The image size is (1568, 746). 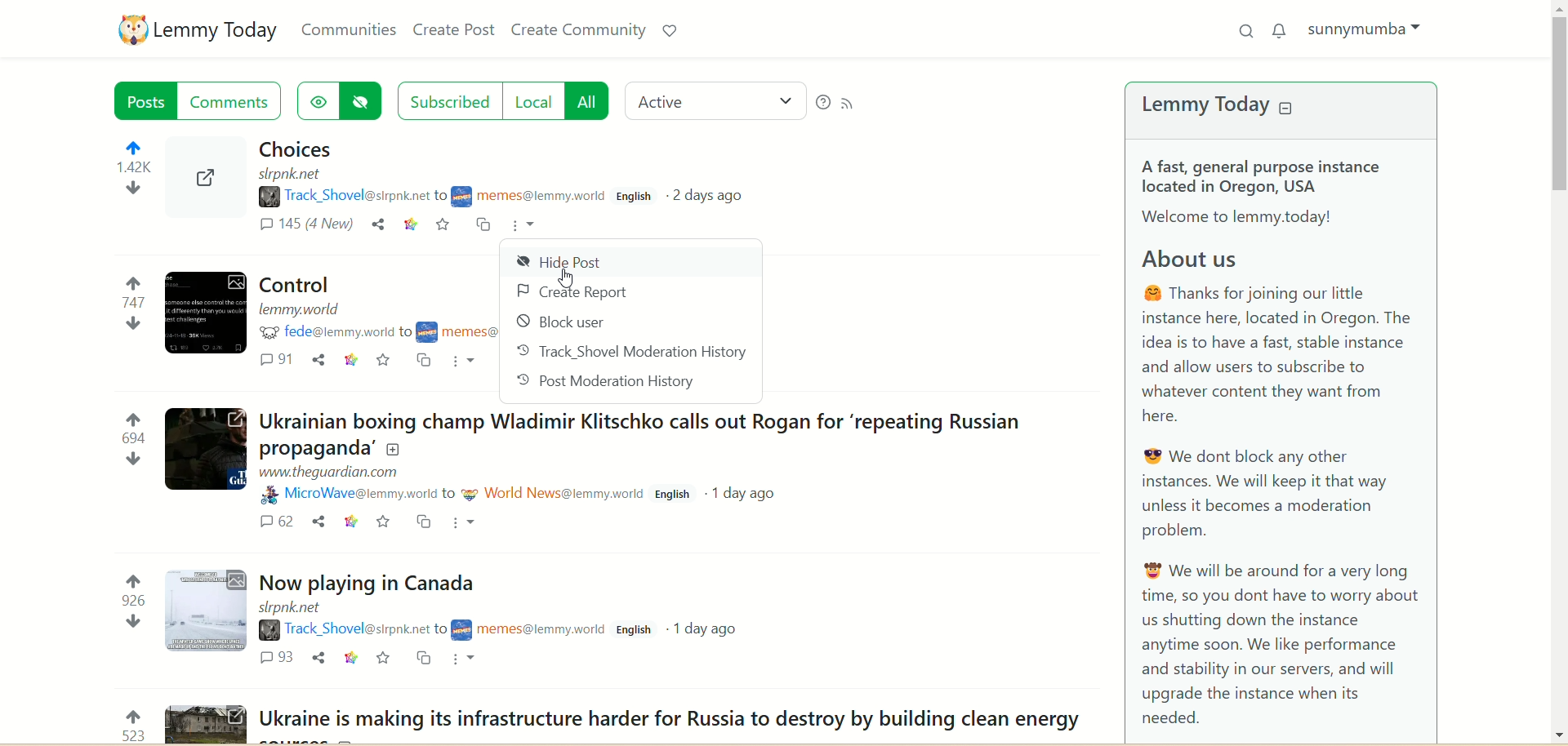 What do you see at coordinates (424, 360) in the screenshot?
I see `cross post` at bounding box center [424, 360].